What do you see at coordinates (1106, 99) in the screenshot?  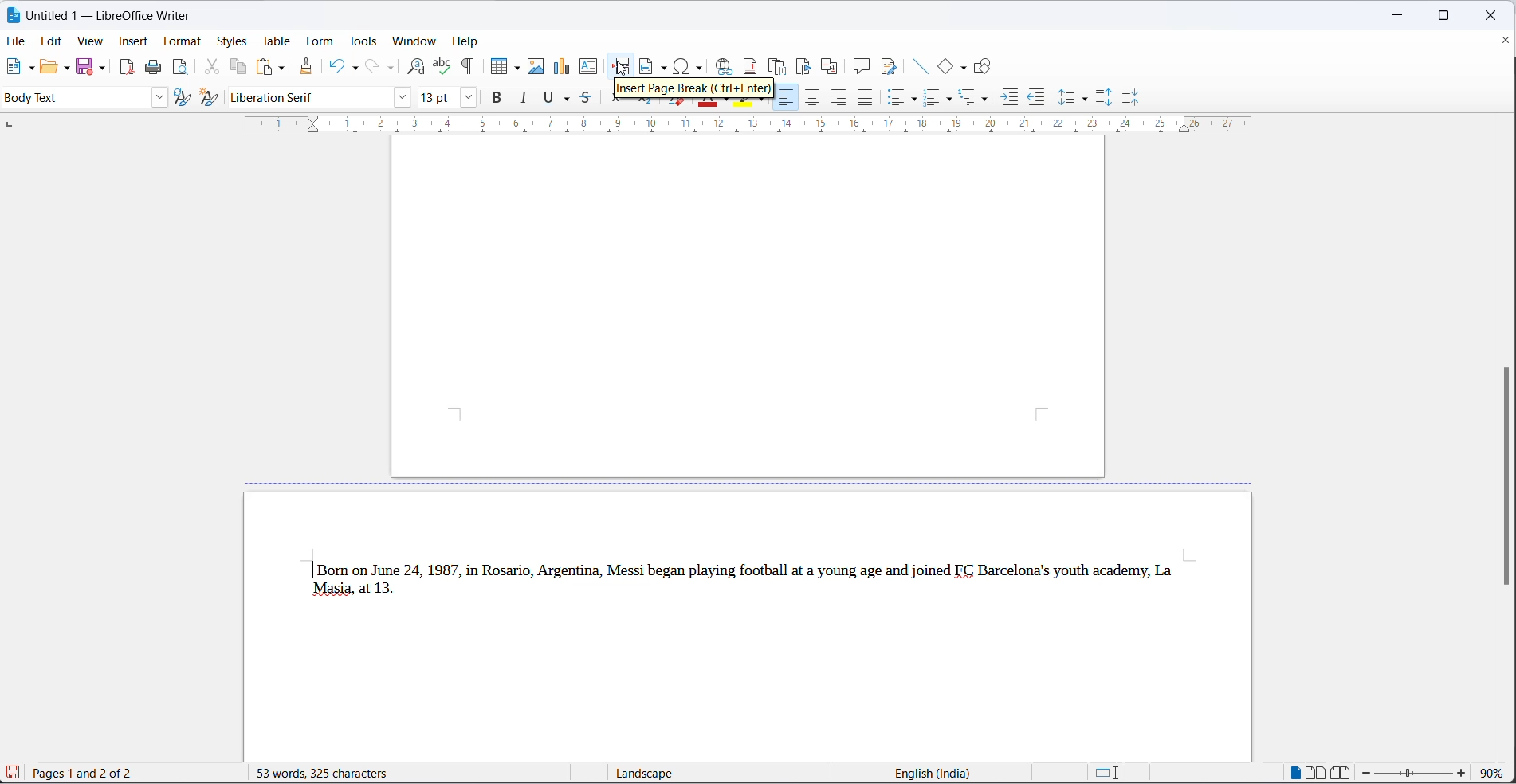 I see `increase paragraph spacing` at bounding box center [1106, 99].